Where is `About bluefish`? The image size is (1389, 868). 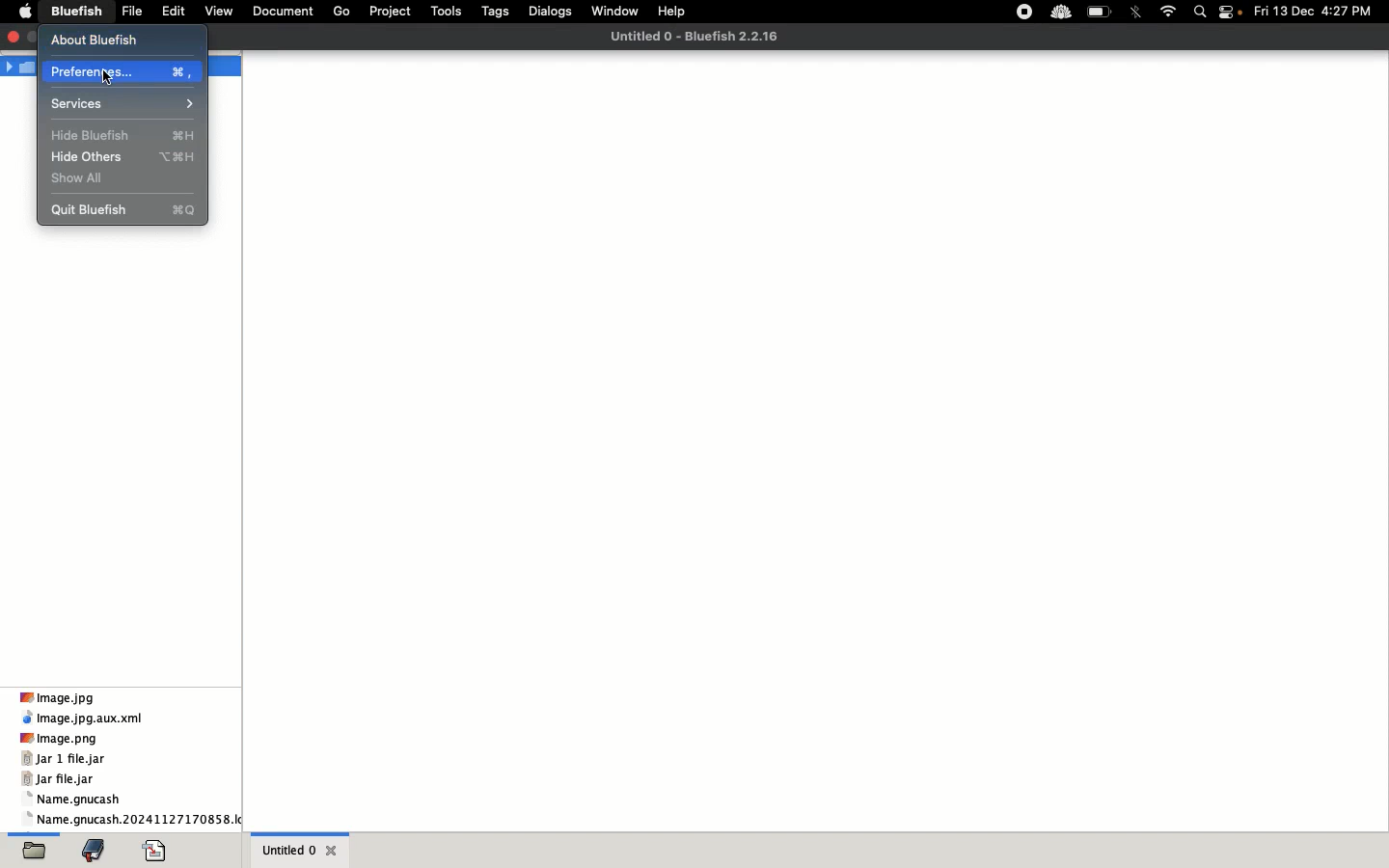
About bluefish is located at coordinates (103, 39).